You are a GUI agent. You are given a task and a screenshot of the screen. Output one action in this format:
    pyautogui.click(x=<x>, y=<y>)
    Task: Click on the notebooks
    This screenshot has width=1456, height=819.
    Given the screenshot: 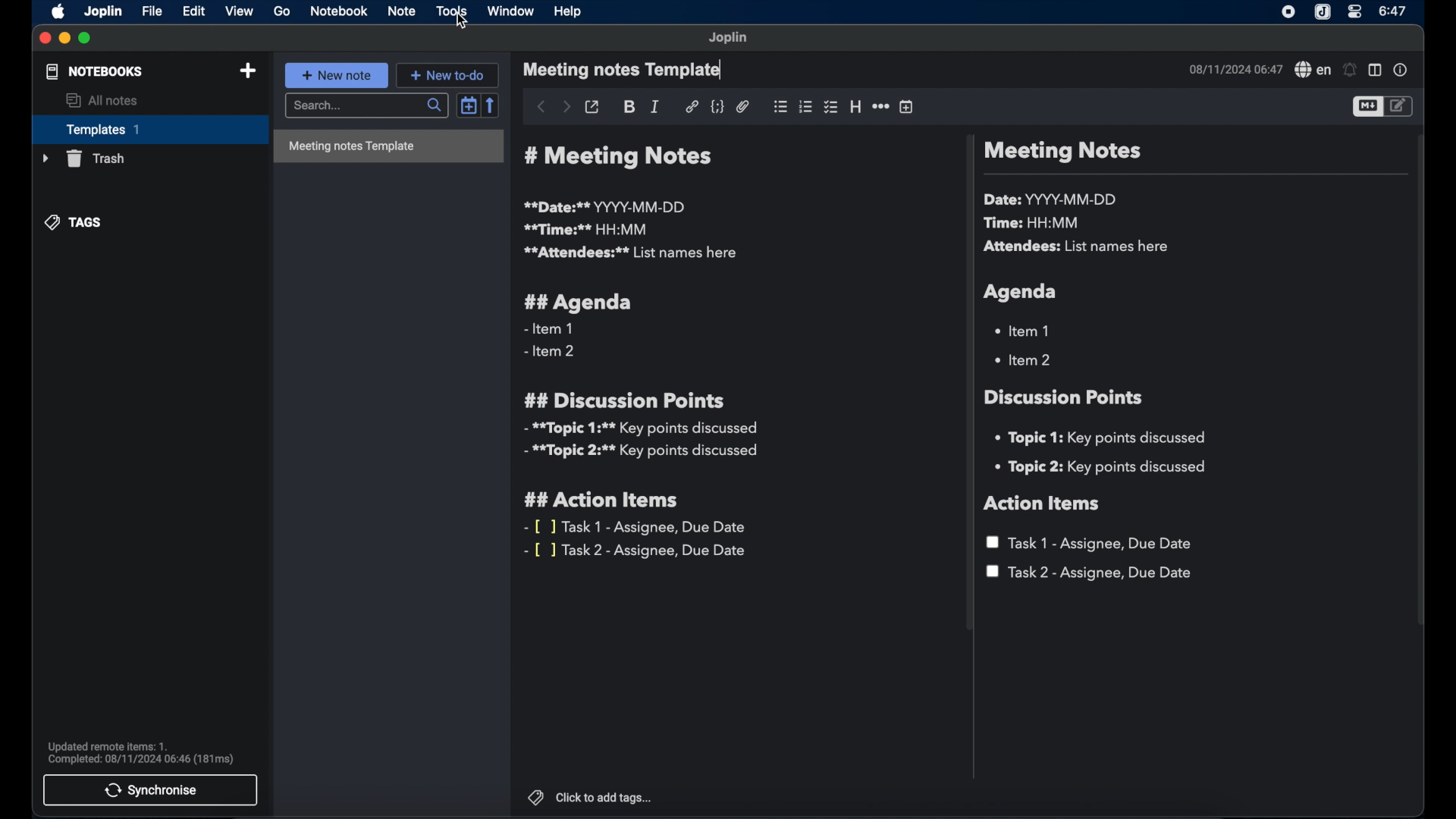 What is the action you would take?
    pyautogui.click(x=93, y=72)
    